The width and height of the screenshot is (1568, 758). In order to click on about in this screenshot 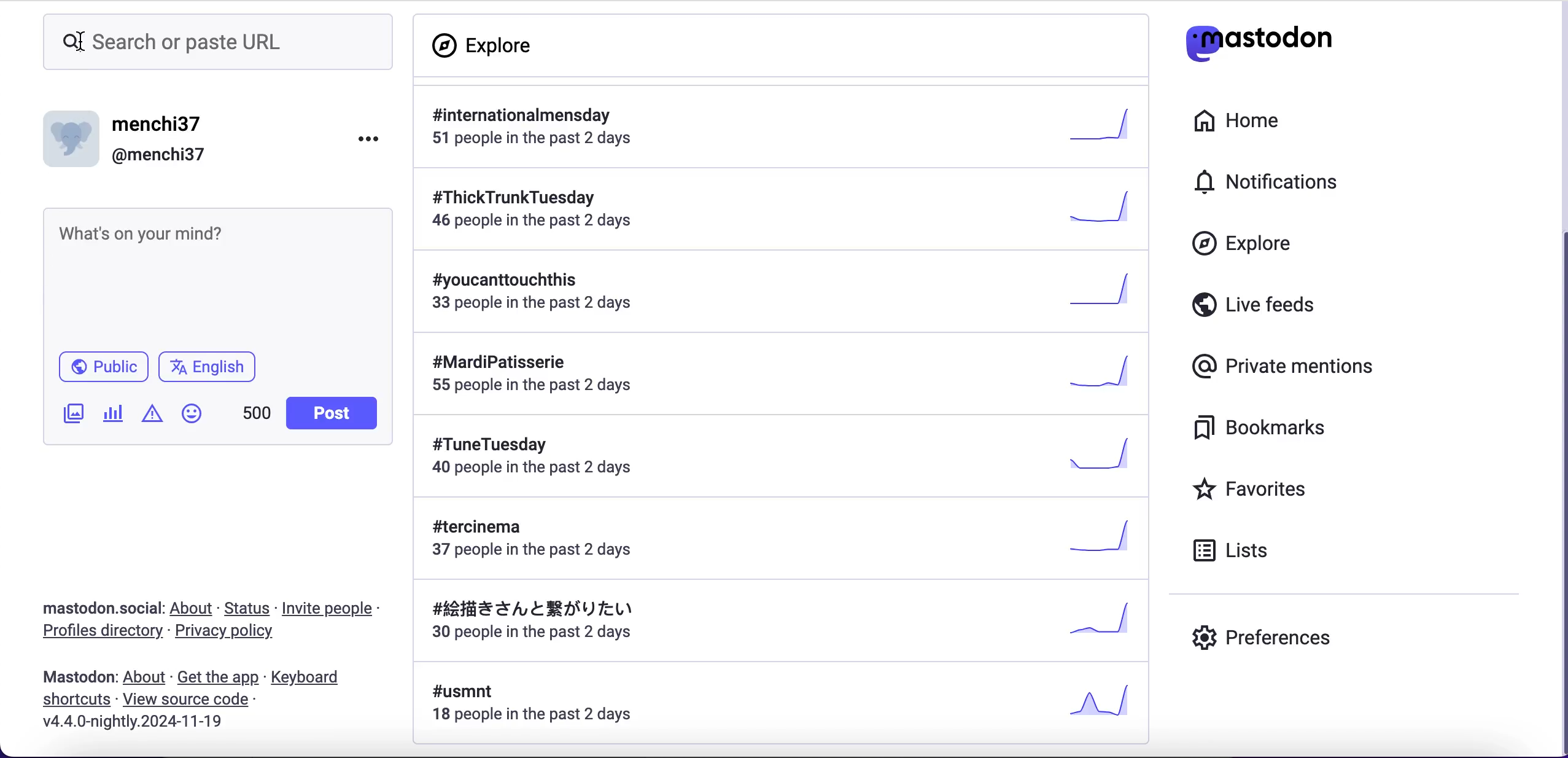, I will do `click(147, 680)`.